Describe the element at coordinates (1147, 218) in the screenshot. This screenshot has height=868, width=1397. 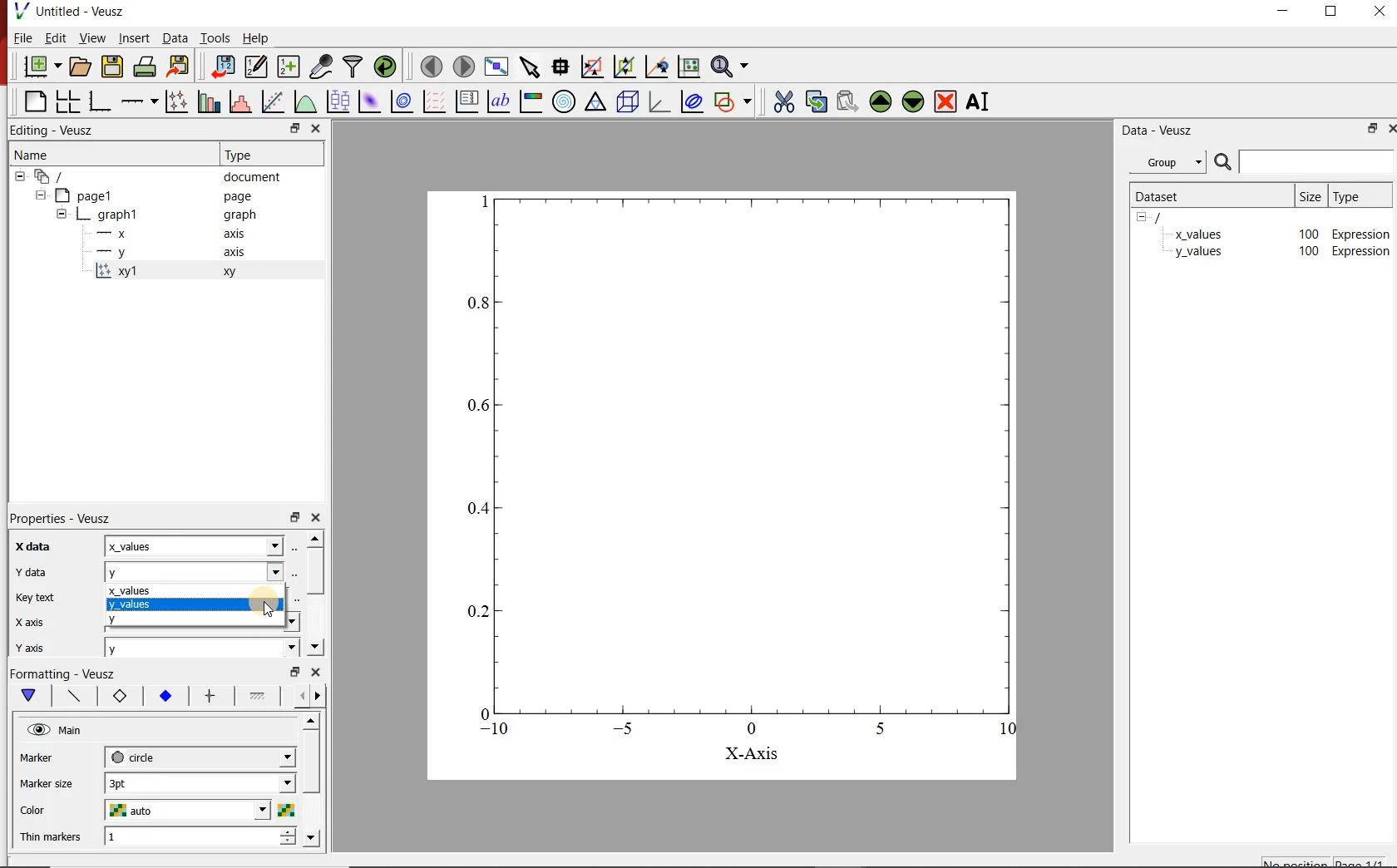
I see `hide` at that location.